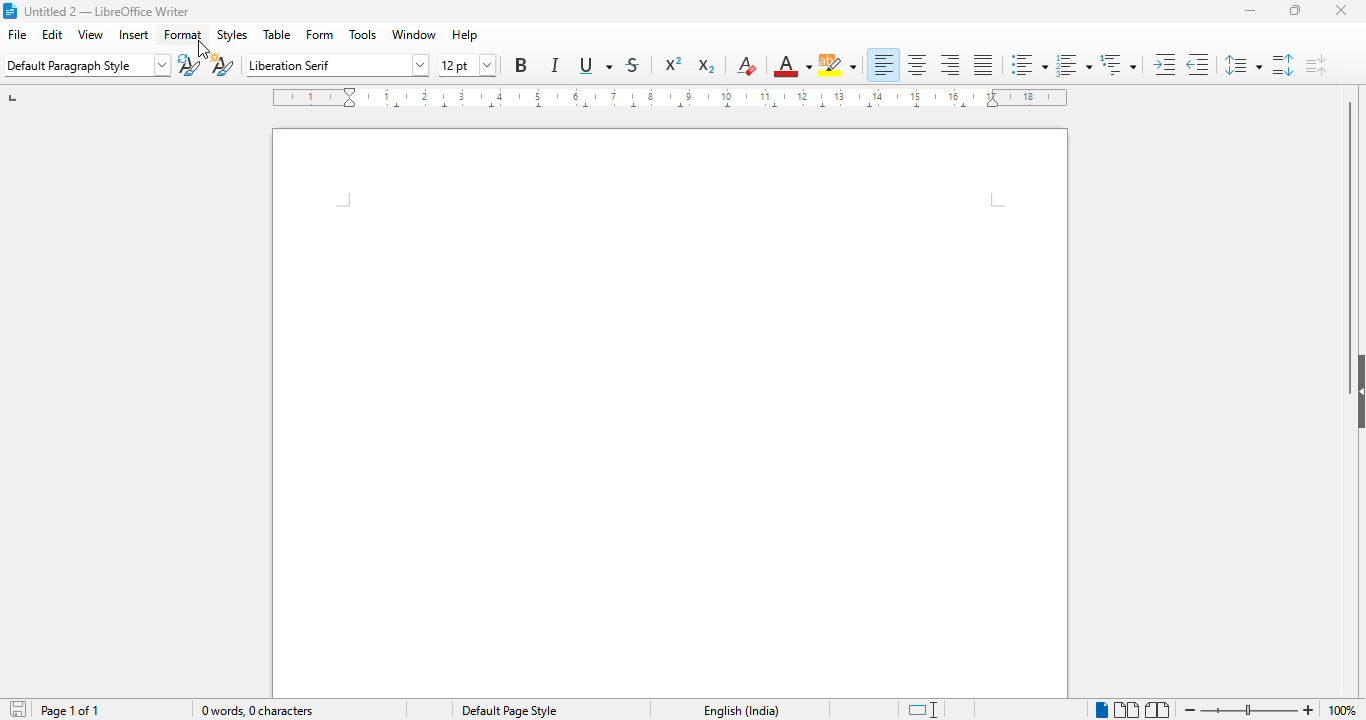  What do you see at coordinates (706, 66) in the screenshot?
I see `subscript` at bounding box center [706, 66].